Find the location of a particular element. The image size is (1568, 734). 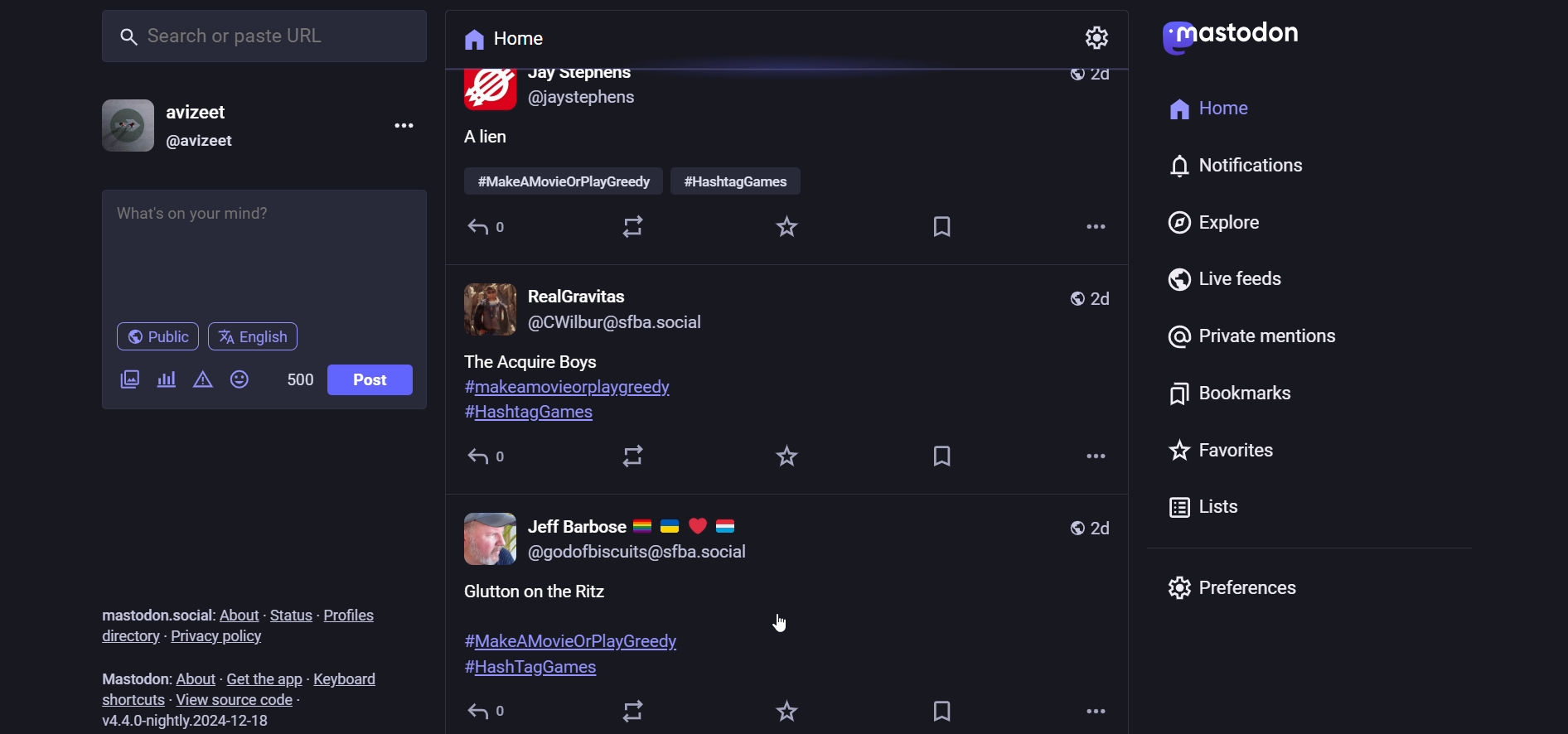

bookmark is located at coordinates (939, 457).